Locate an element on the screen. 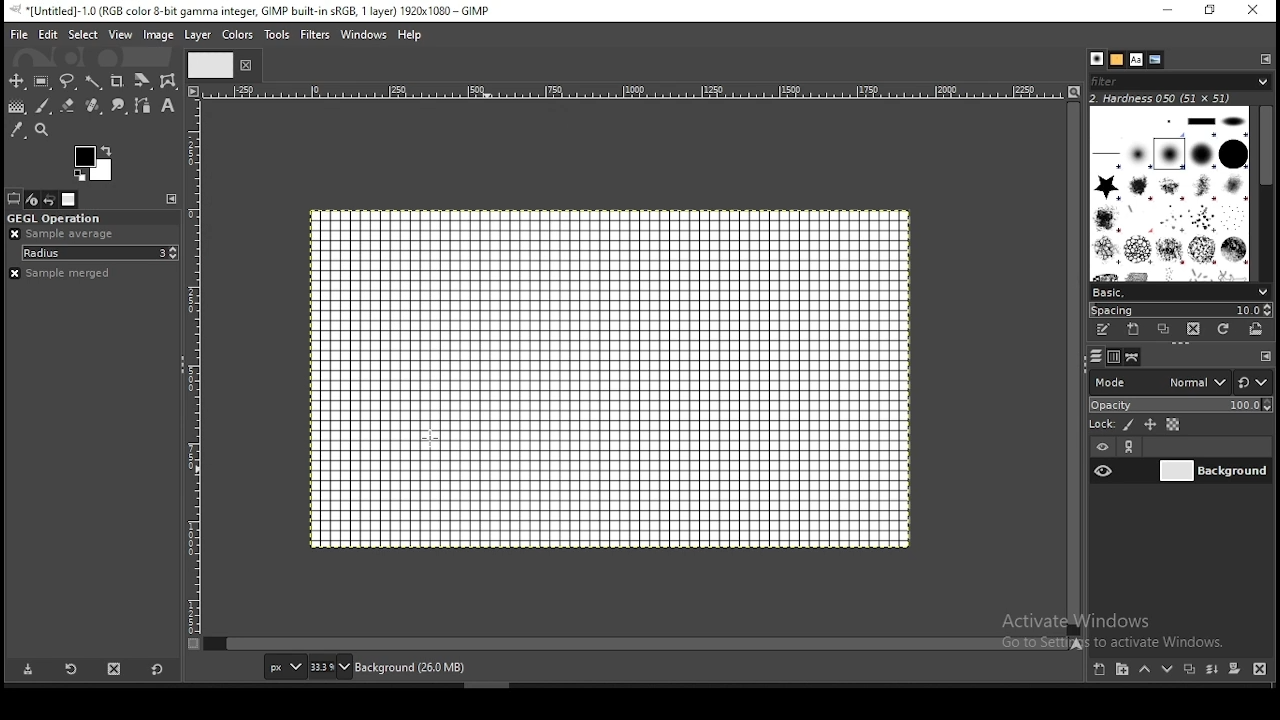  hardness 050 is located at coordinates (1162, 99).